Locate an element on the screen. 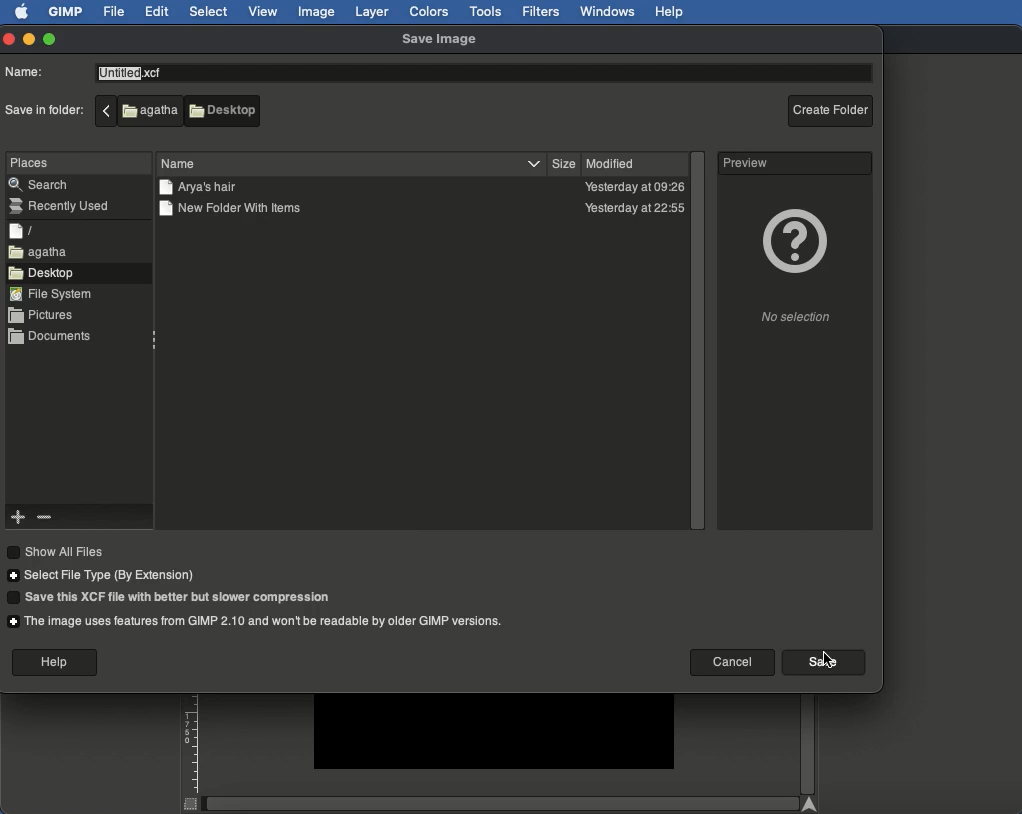  Scroll is located at coordinates (697, 341).